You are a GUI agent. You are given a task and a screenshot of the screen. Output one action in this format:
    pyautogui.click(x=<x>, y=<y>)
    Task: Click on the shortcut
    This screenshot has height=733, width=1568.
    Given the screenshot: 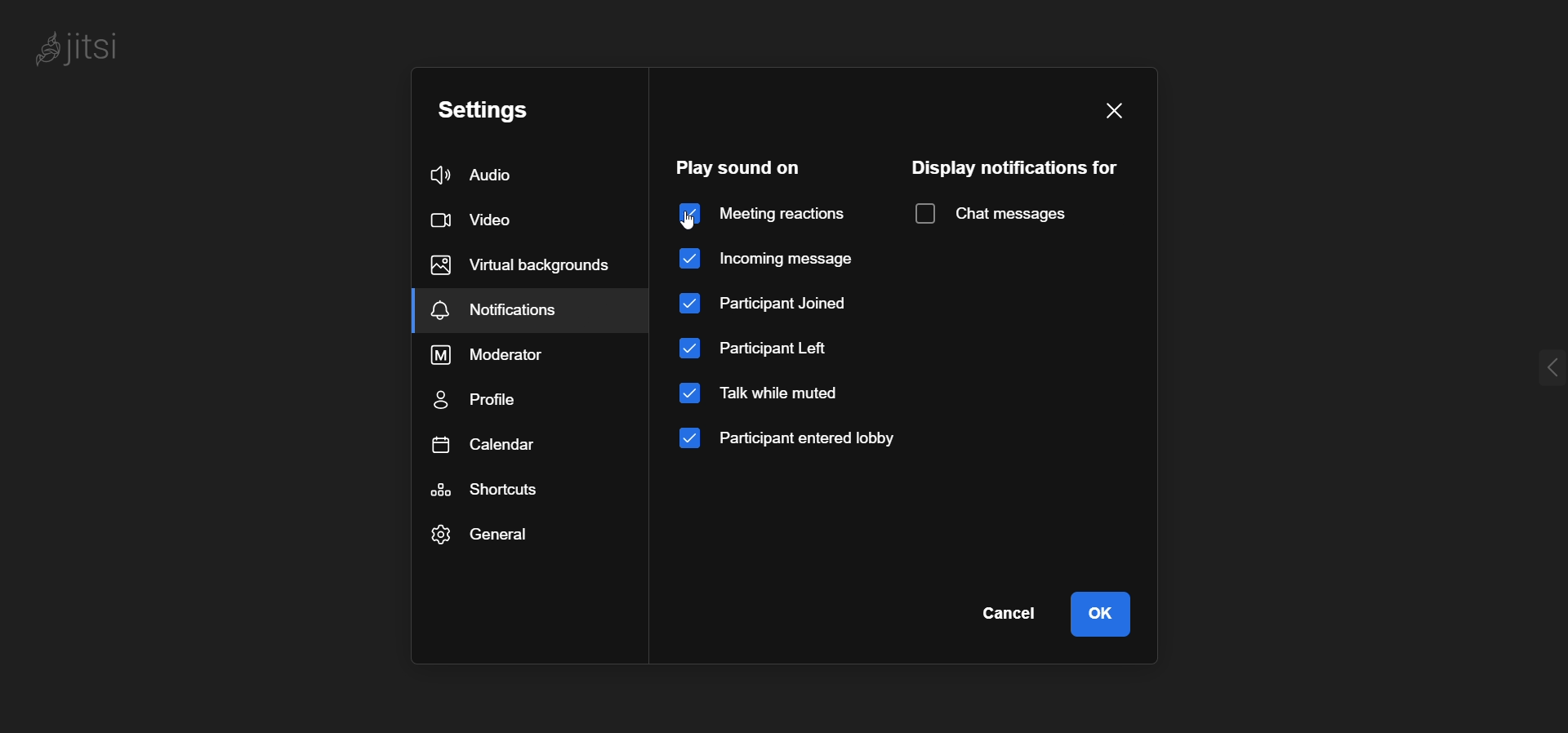 What is the action you would take?
    pyautogui.click(x=492, y=487)
    